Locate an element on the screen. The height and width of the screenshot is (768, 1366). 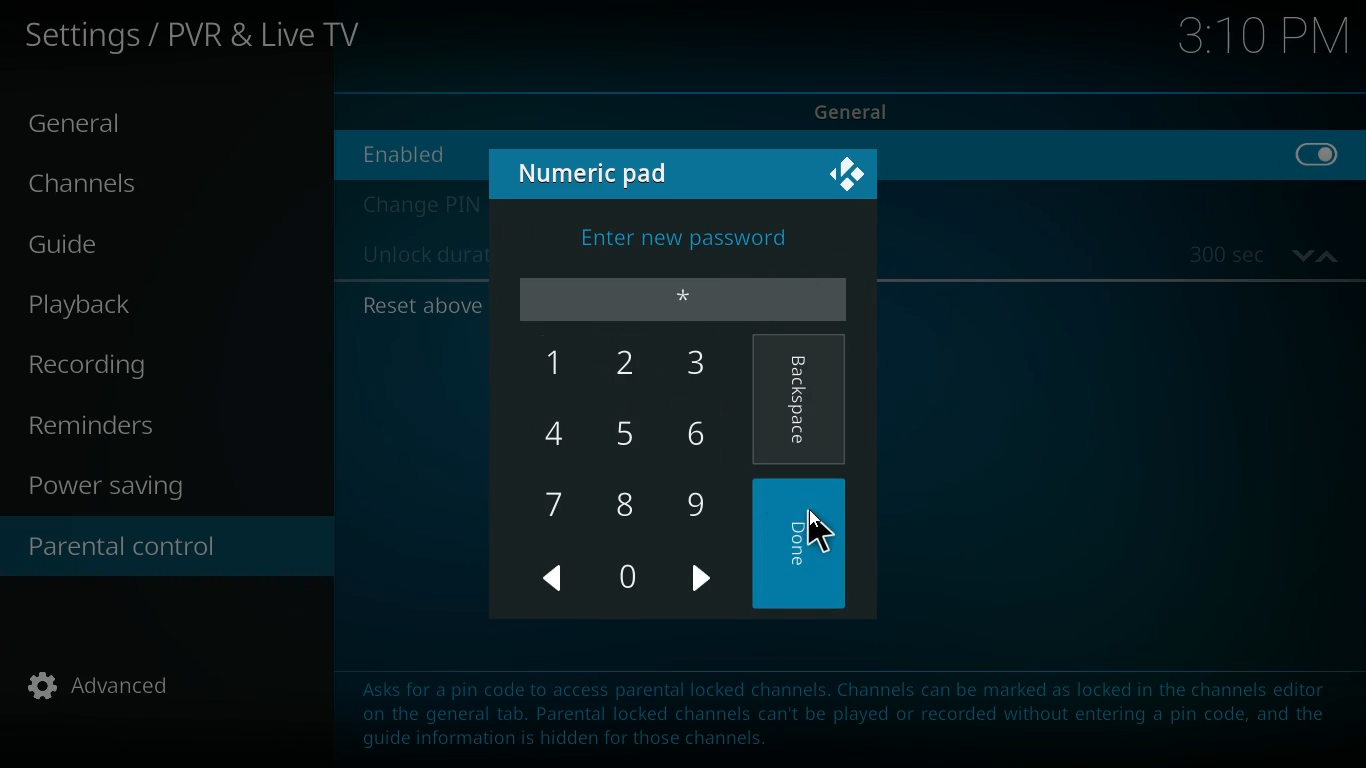
2 is located at coordinates (632, 365).